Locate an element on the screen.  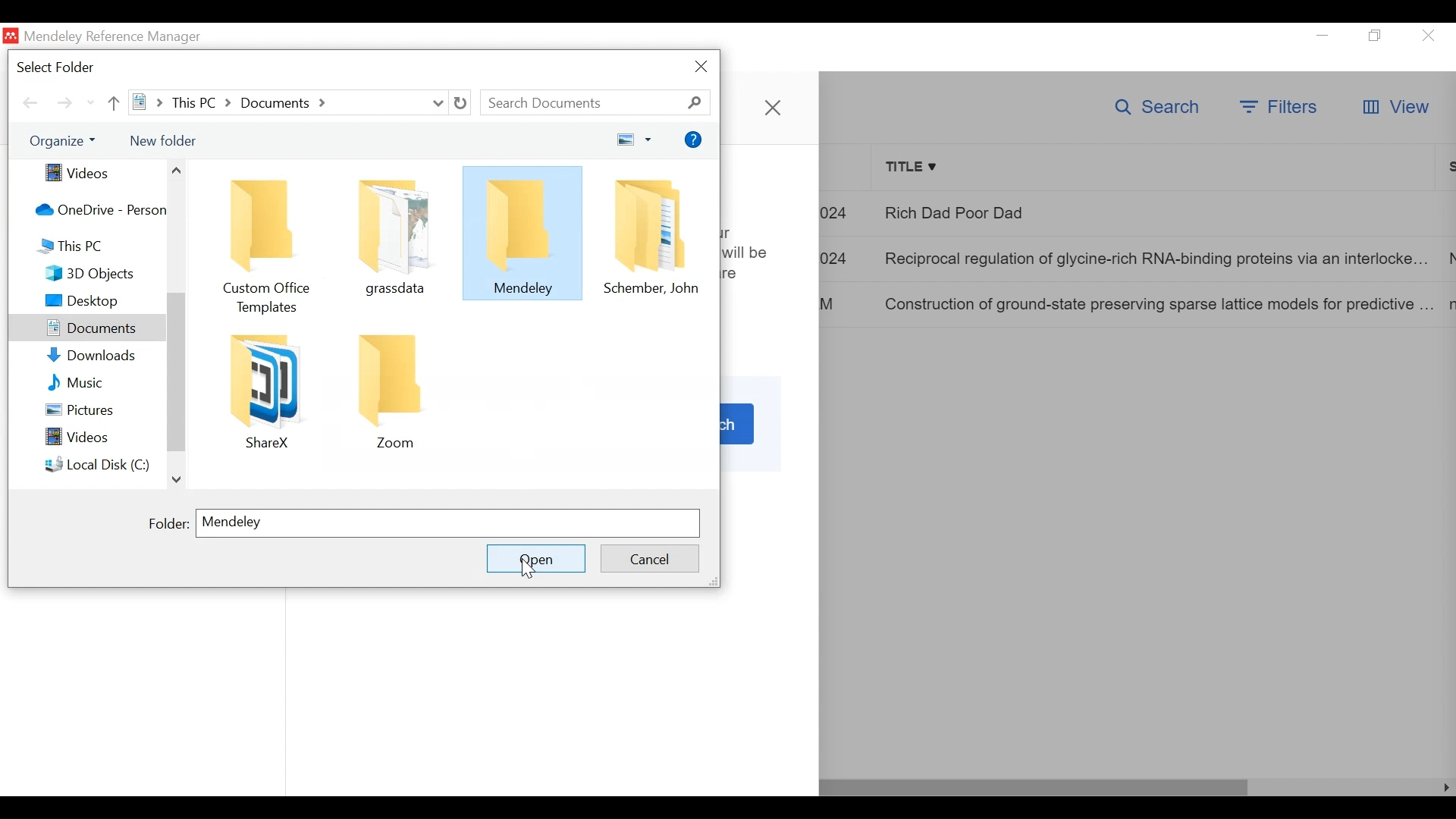
Mendeley Reference Manager is located at coordinates (121, 37).